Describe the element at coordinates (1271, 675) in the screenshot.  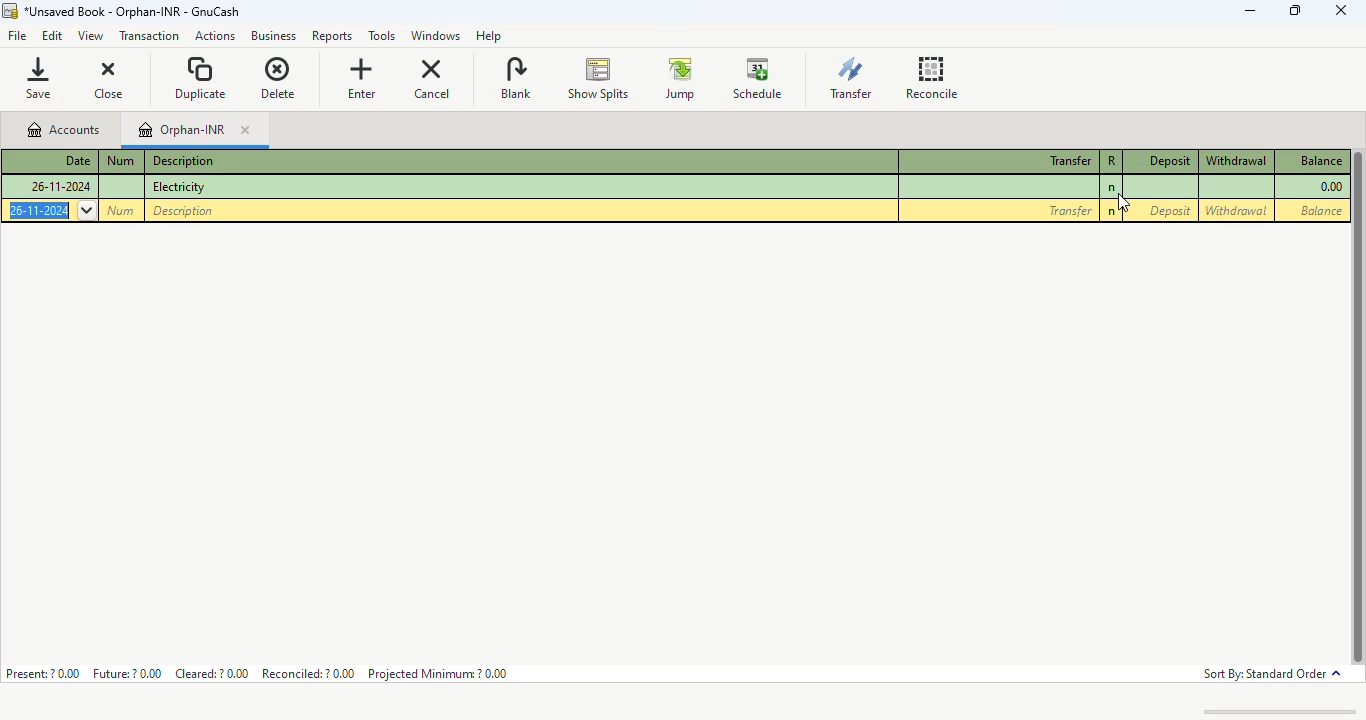
I see `sort by: standard order` at that location.